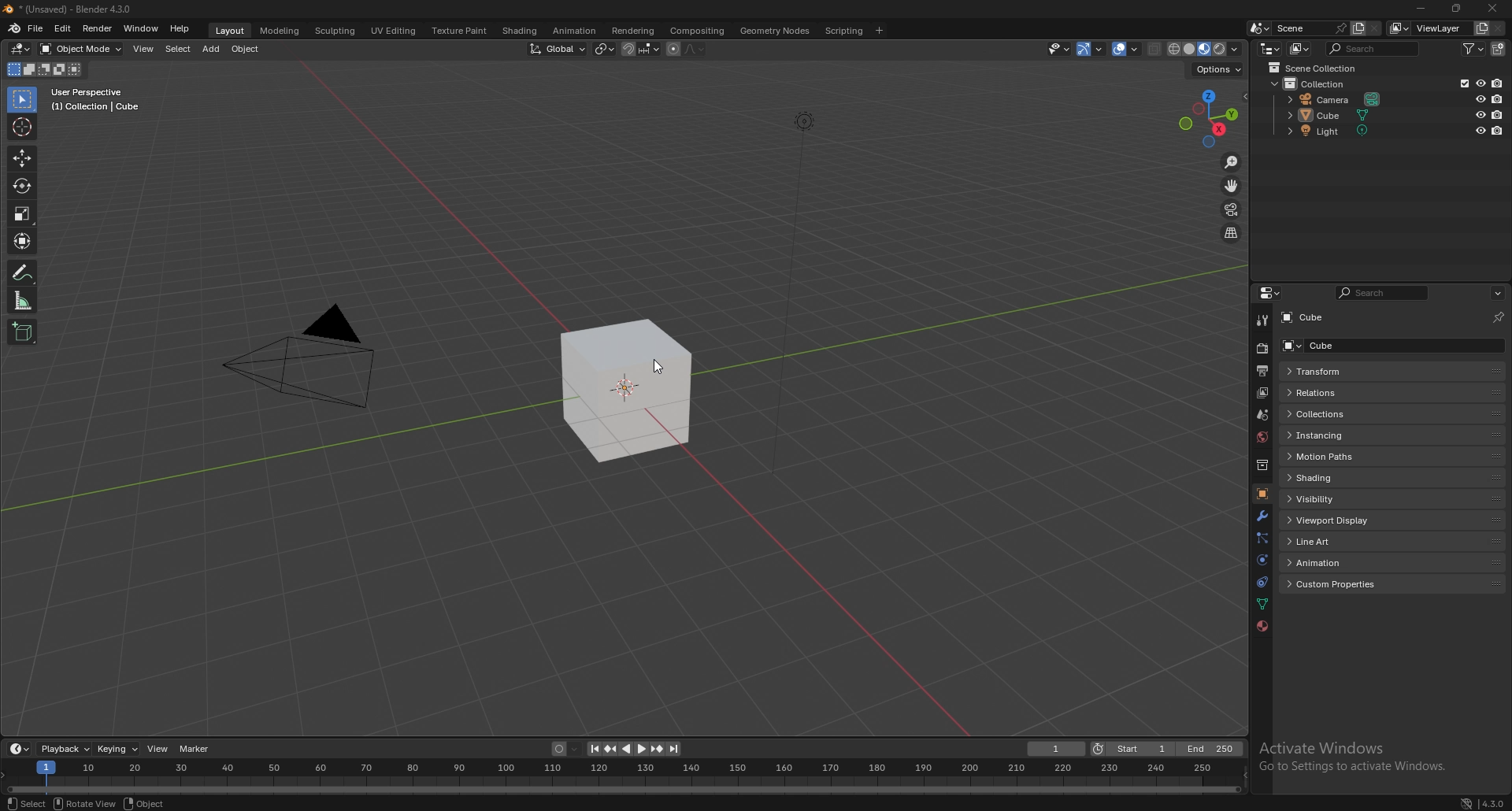 This screenshot has width=1512, height=811. Describe the element at coordinates (1261, 465) in the screenshot. I see `collection` at that location.